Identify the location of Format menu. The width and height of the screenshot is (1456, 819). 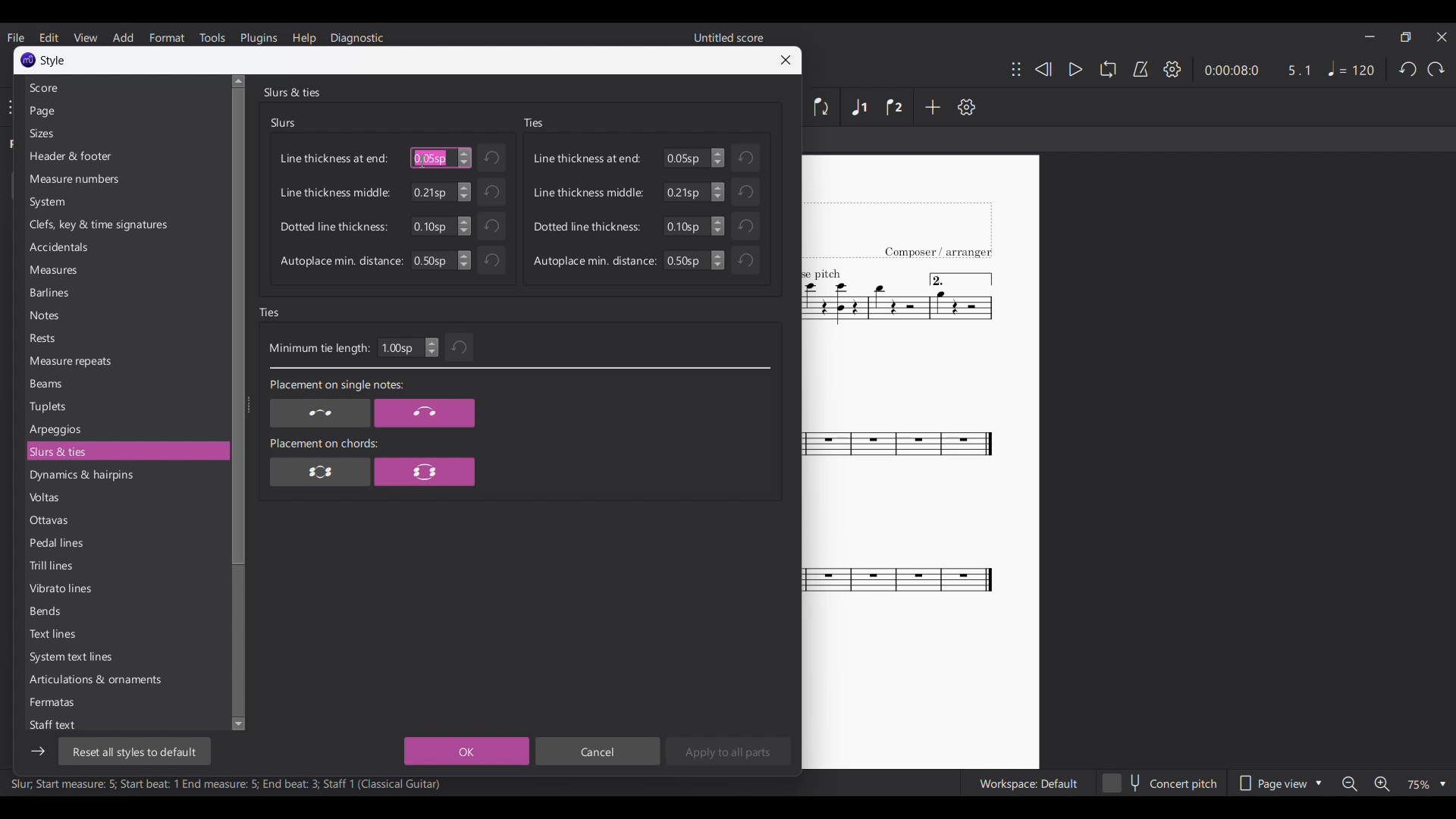
(167, 37).